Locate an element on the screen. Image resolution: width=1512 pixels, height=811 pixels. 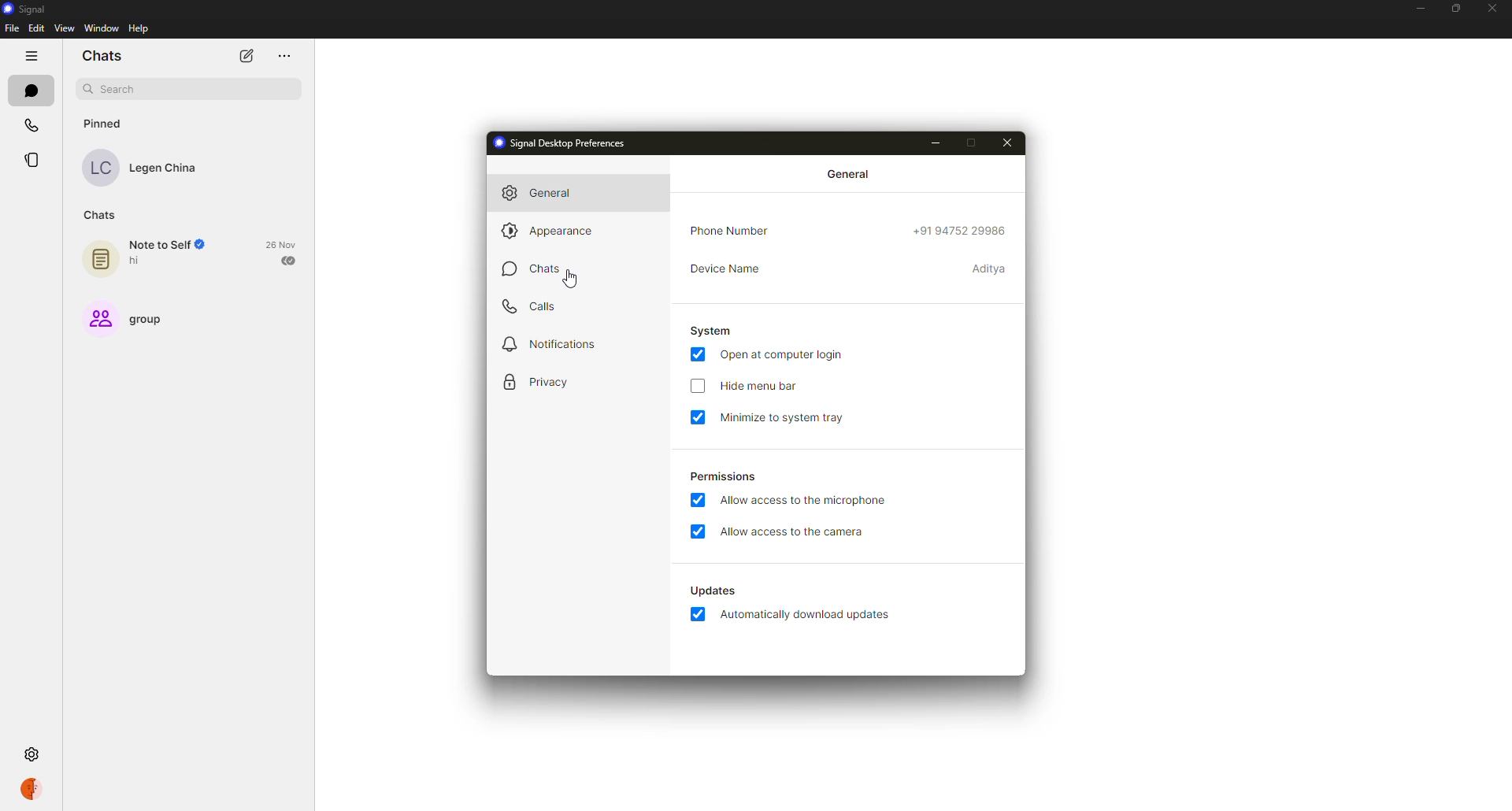
general is located at coordinates (852, 176).